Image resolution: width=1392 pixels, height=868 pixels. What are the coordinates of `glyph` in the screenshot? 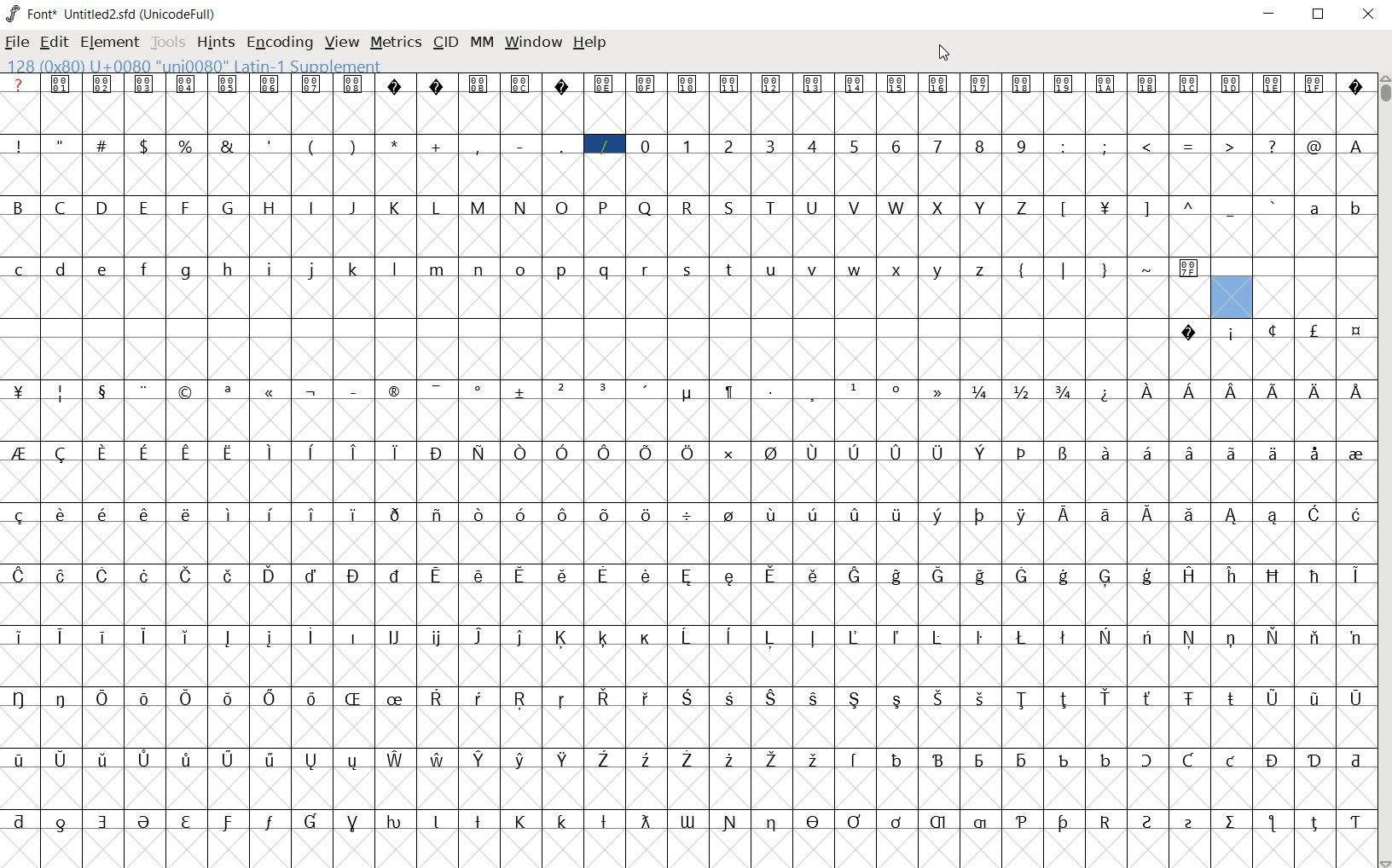 It's located at (18, 698).